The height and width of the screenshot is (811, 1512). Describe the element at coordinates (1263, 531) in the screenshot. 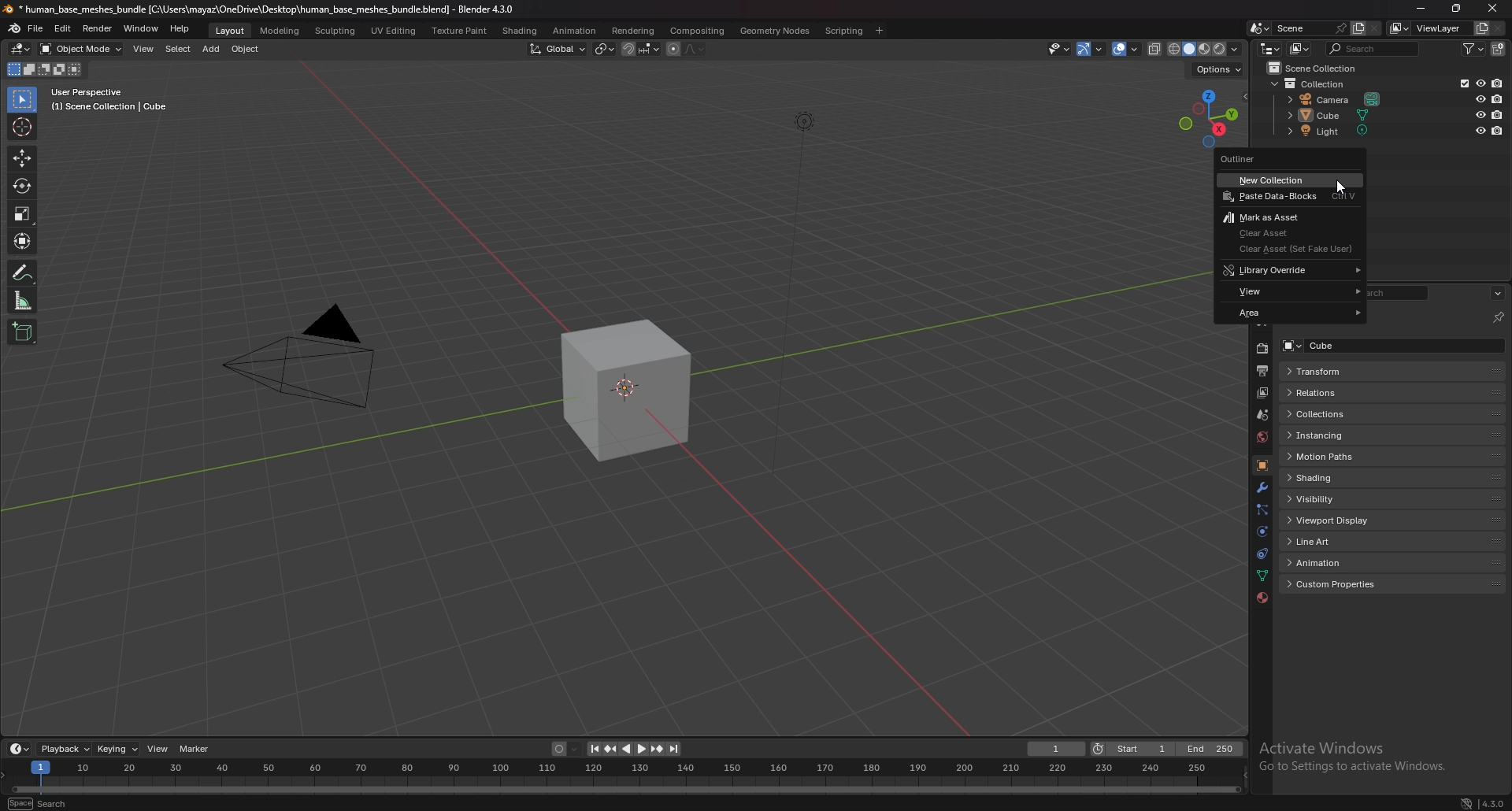

I see `physics` at that location.